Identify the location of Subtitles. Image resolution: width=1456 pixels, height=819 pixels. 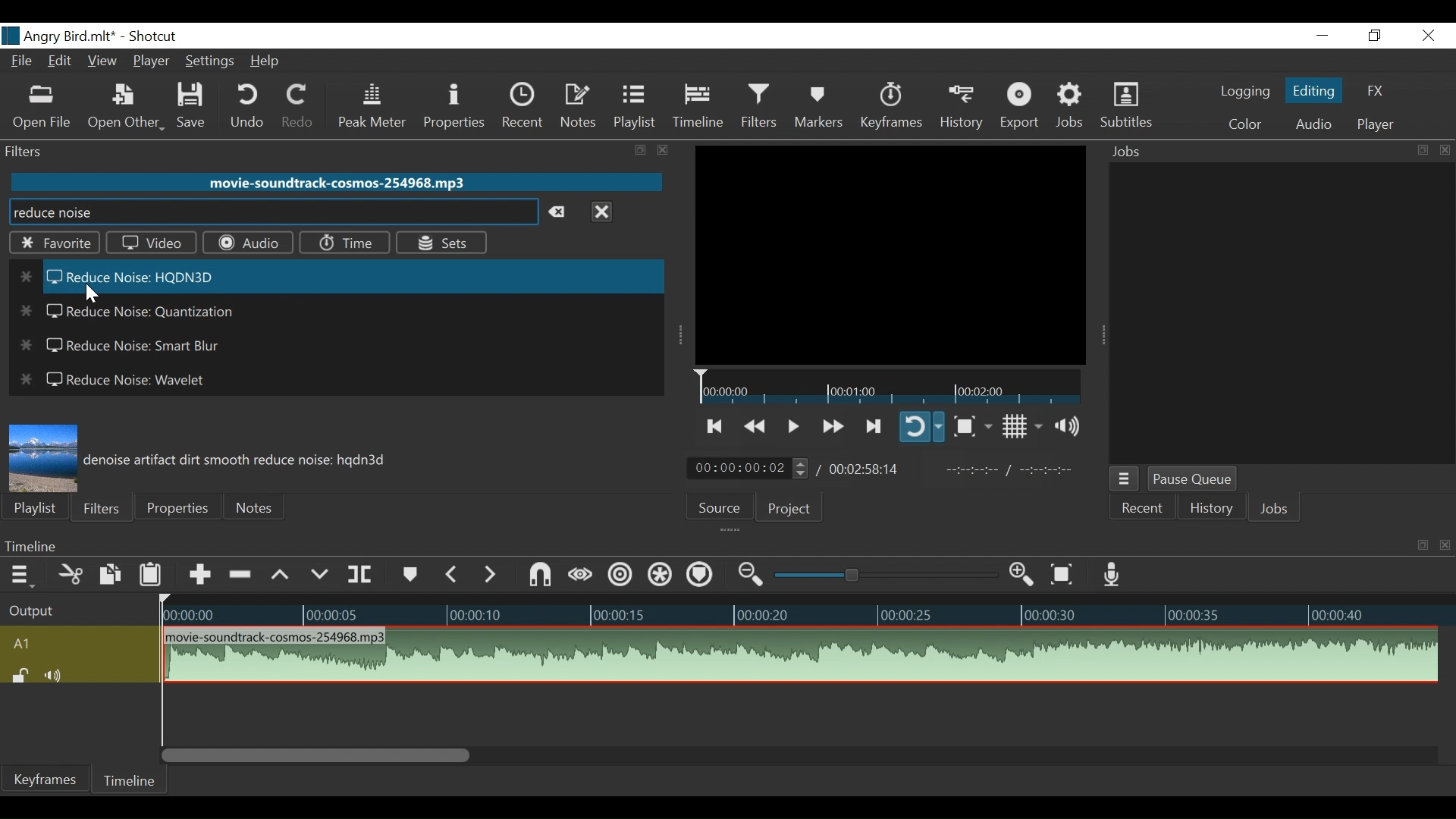
(1126, 106).